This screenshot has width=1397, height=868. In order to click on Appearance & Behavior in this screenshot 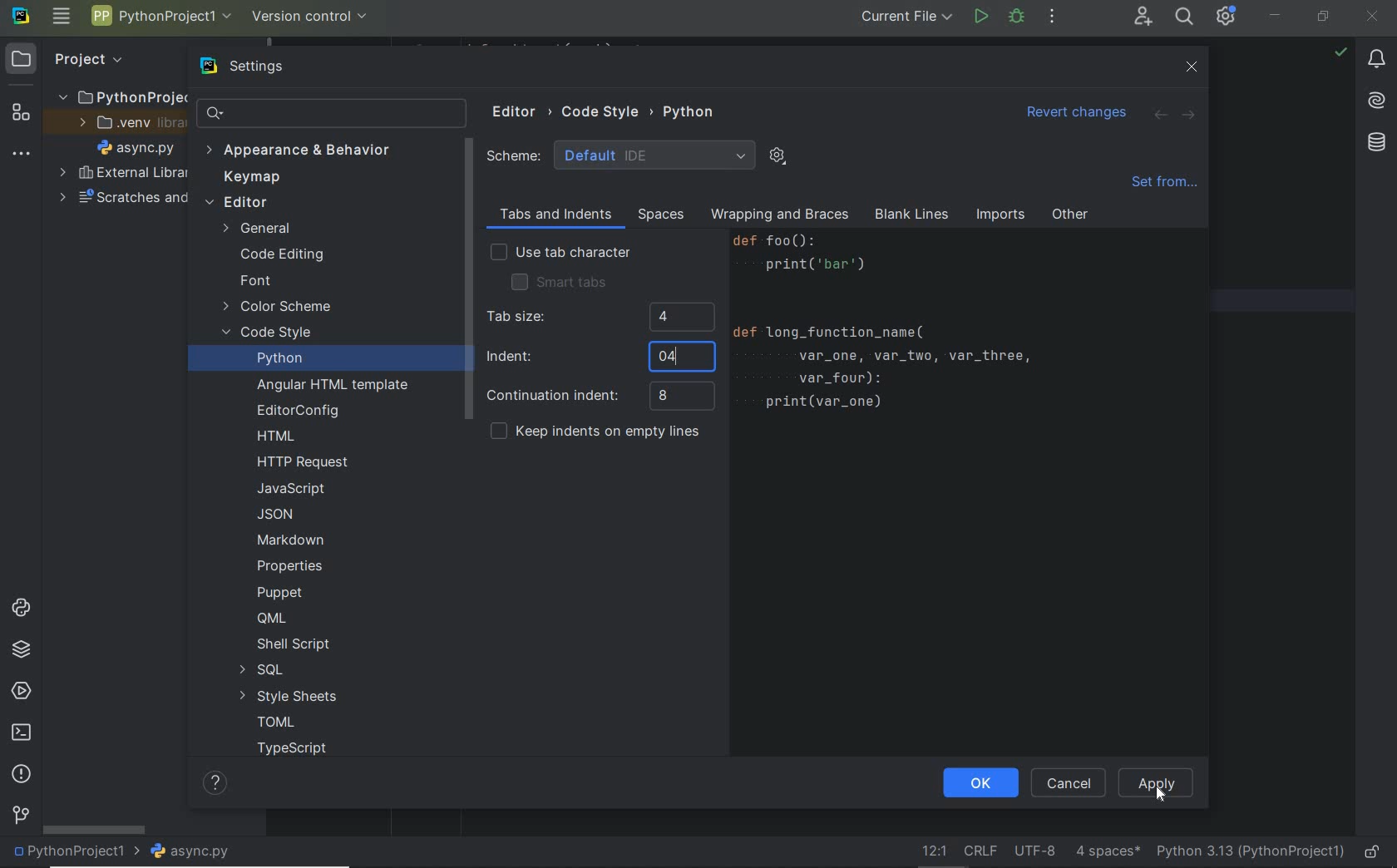, I will do `click(299, 152)`.